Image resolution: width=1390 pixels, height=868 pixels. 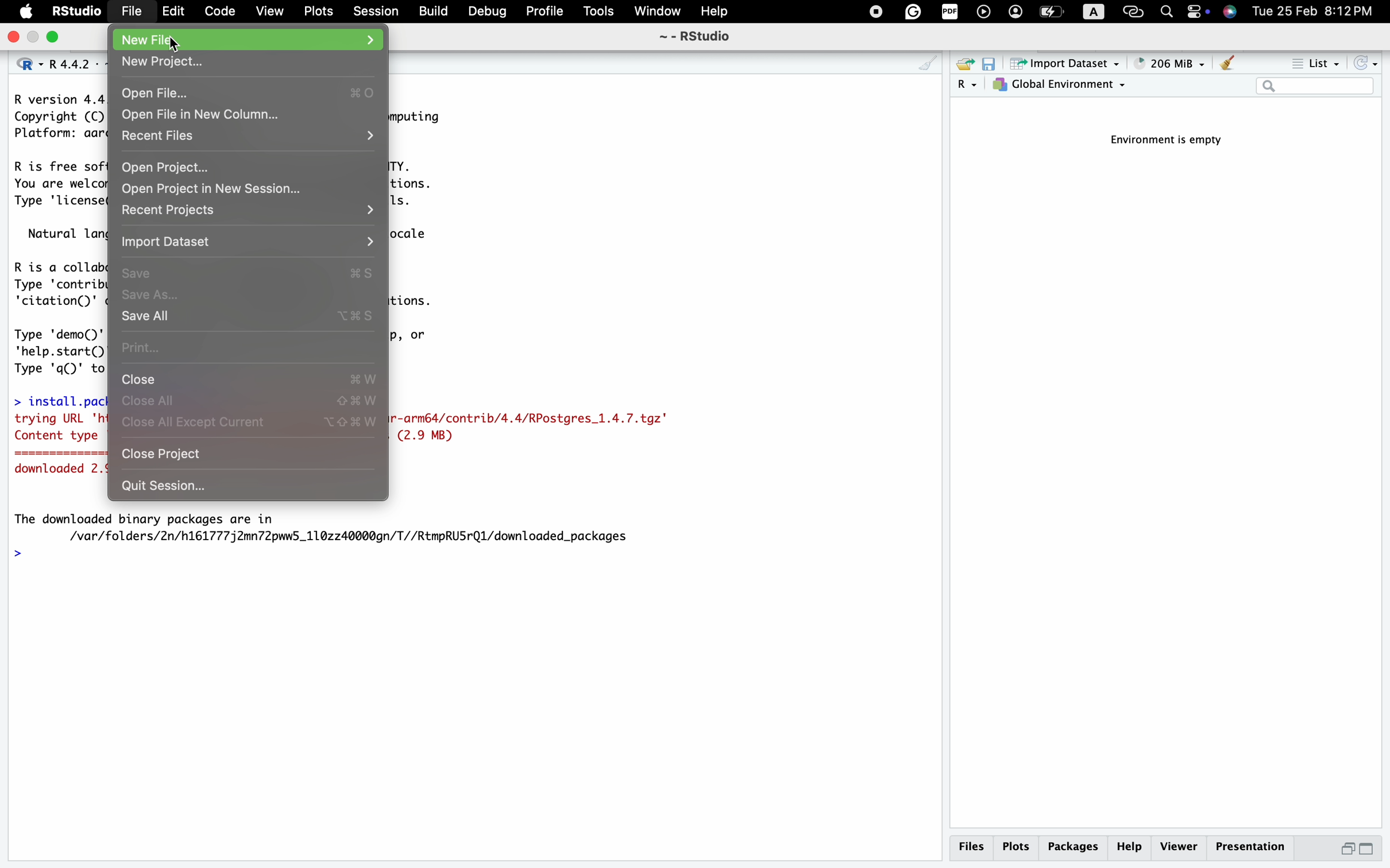 I want to click on import dataset, so click(x=1065, y=64).